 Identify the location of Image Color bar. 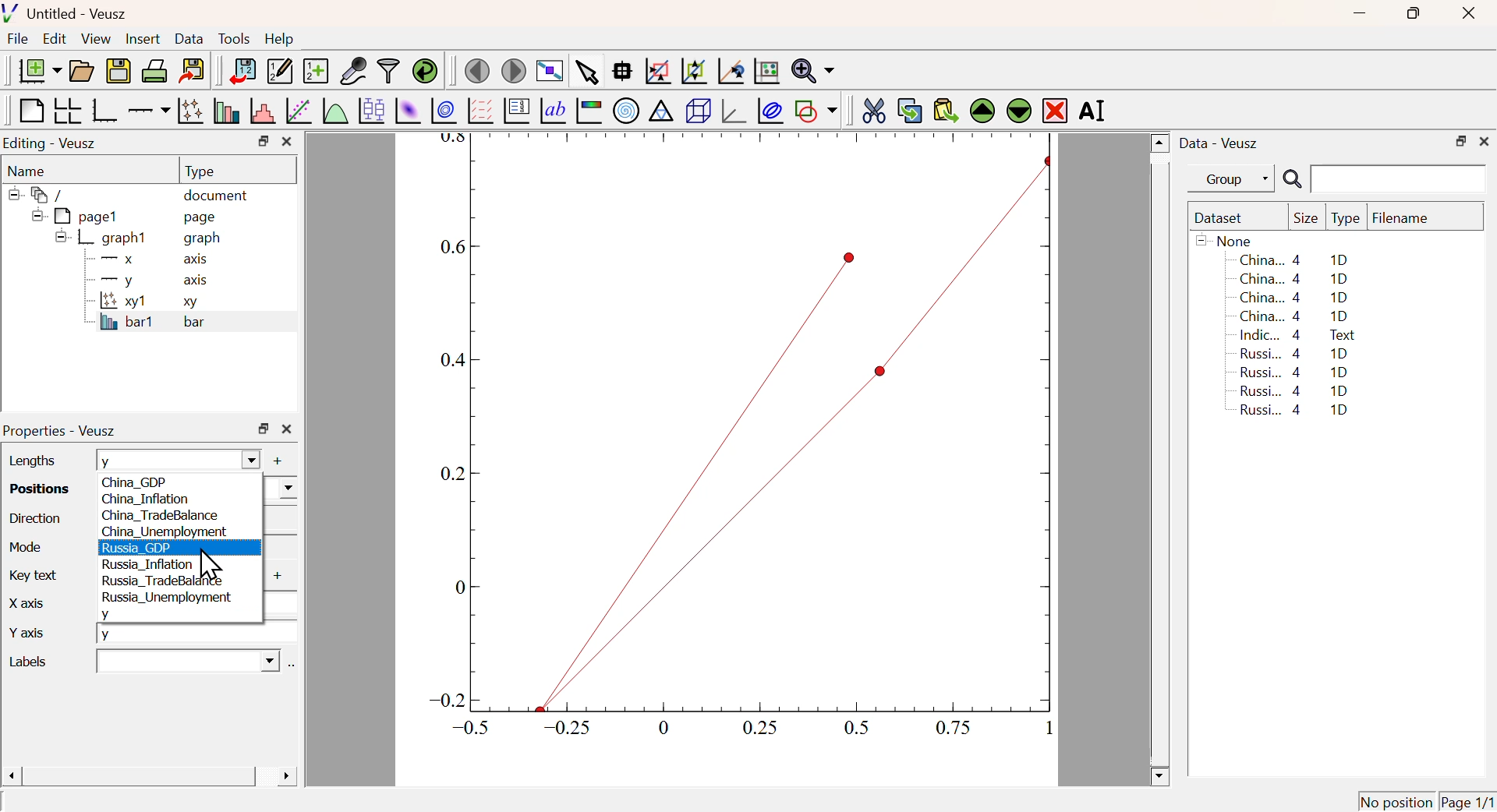
(589, 111).